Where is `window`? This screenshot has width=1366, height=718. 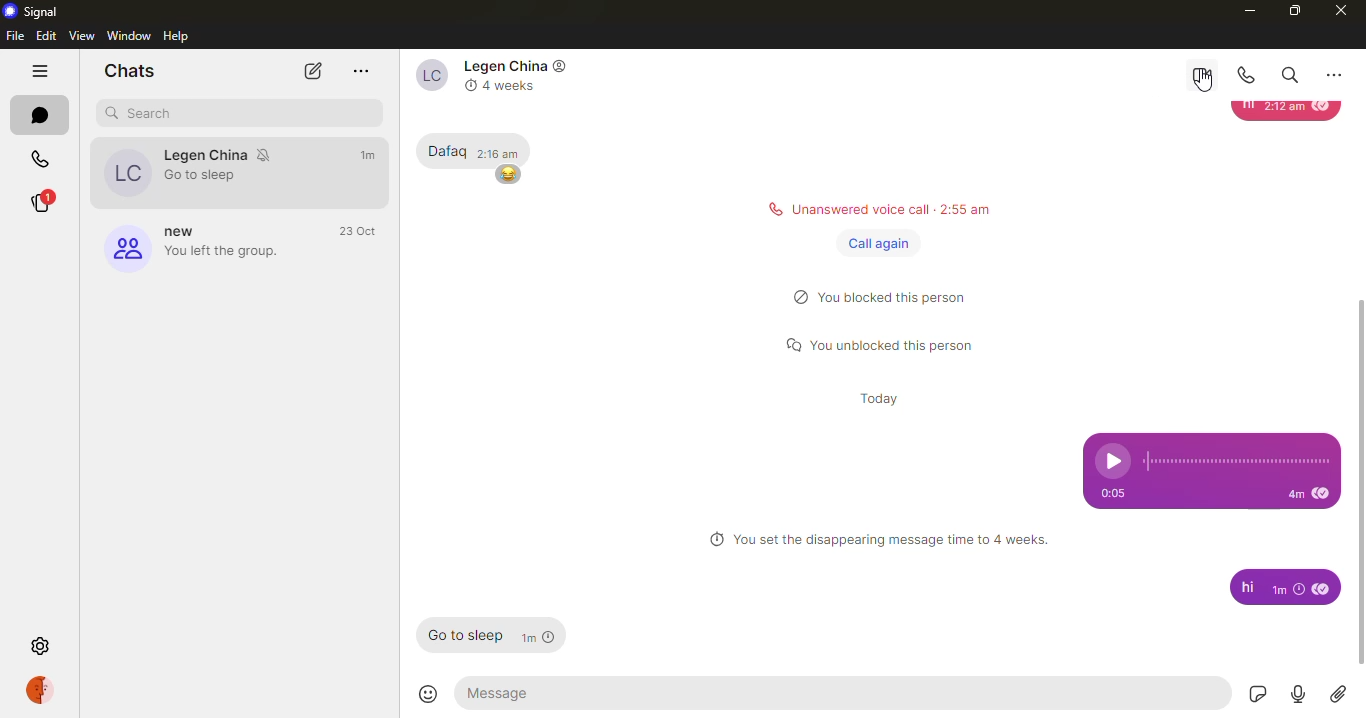
window is located at coordinates (129, 35).